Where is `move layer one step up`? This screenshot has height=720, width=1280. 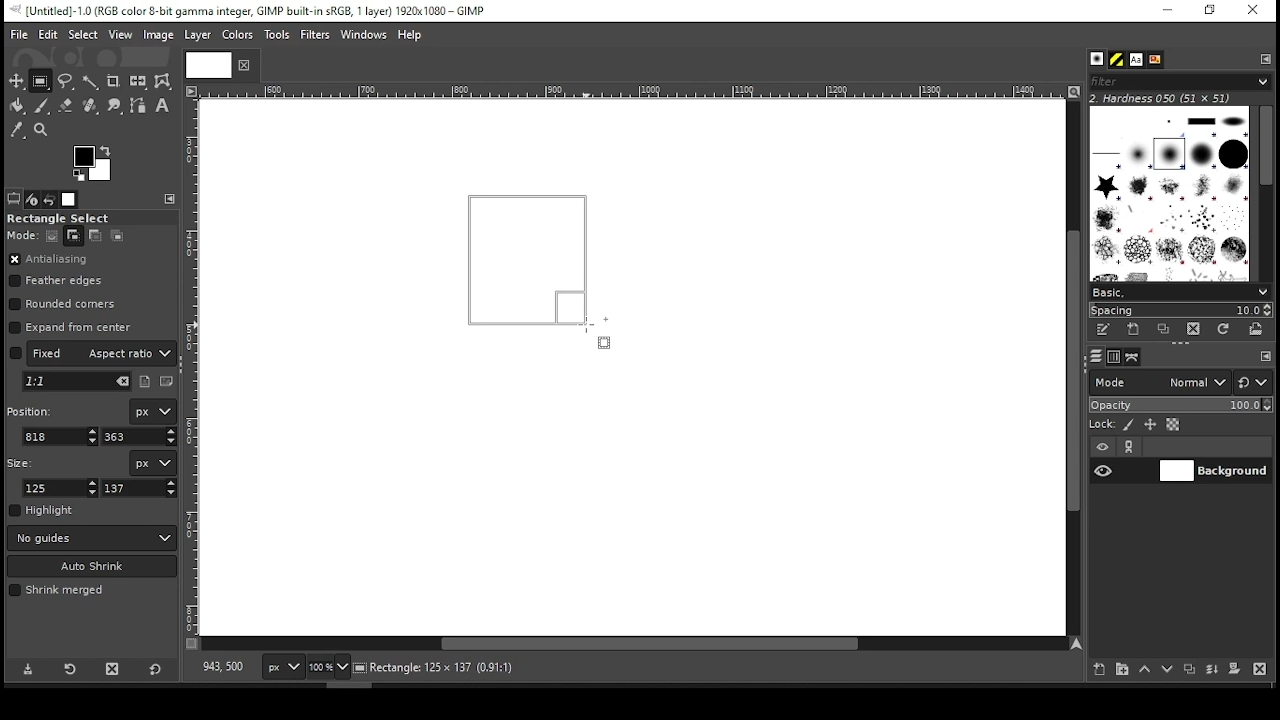 move layer one step up is located at coordinates (1145, 671).